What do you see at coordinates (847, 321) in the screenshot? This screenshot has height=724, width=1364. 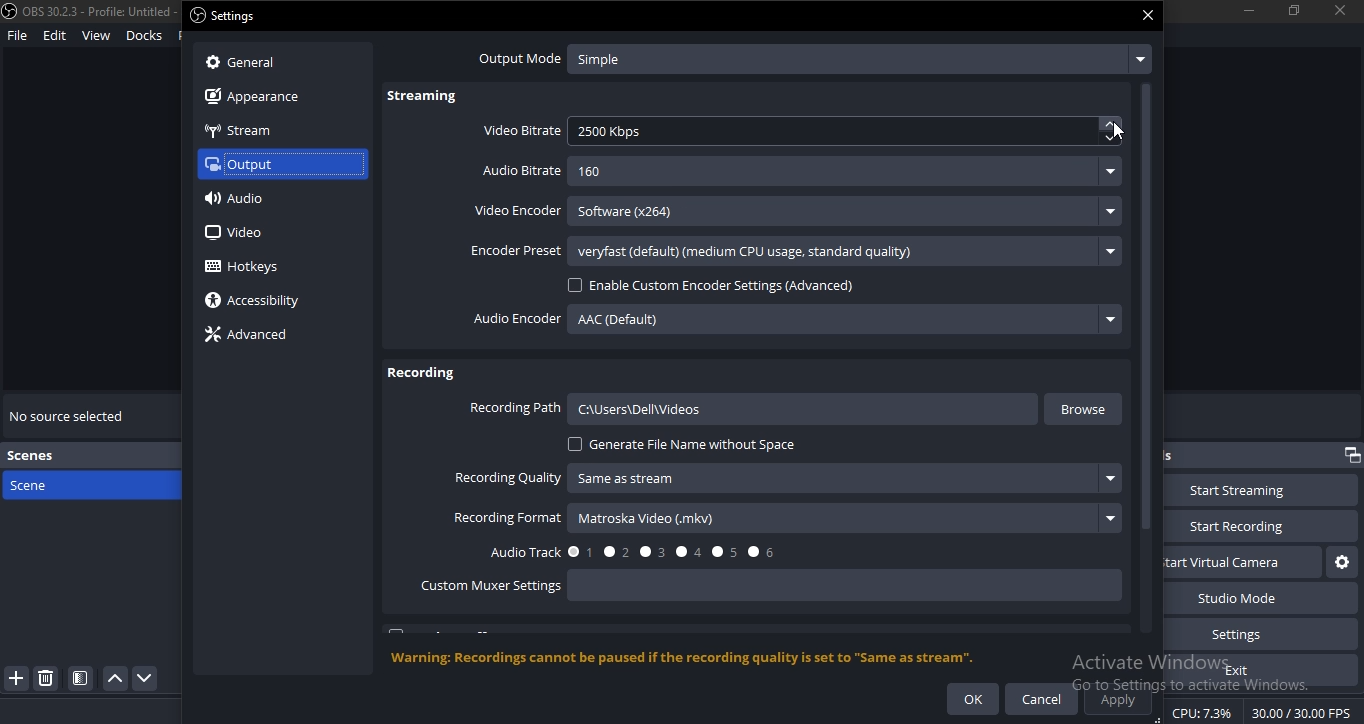 I see `AAC (Default) ` at bounding box center [847, 321].